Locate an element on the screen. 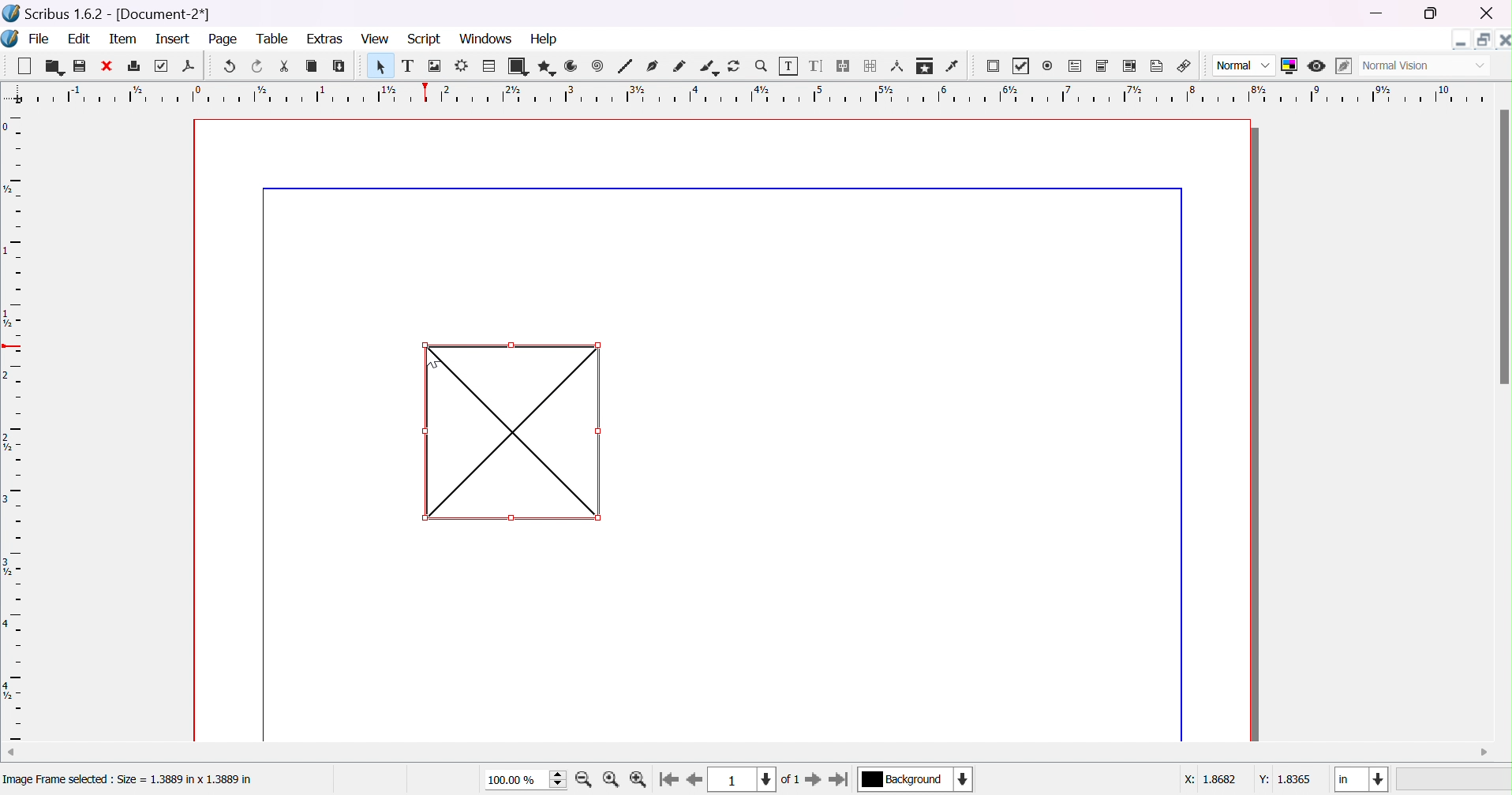 This screenshot has height=795, width=1512. PDF text field is located at coordinates (1076, 66).